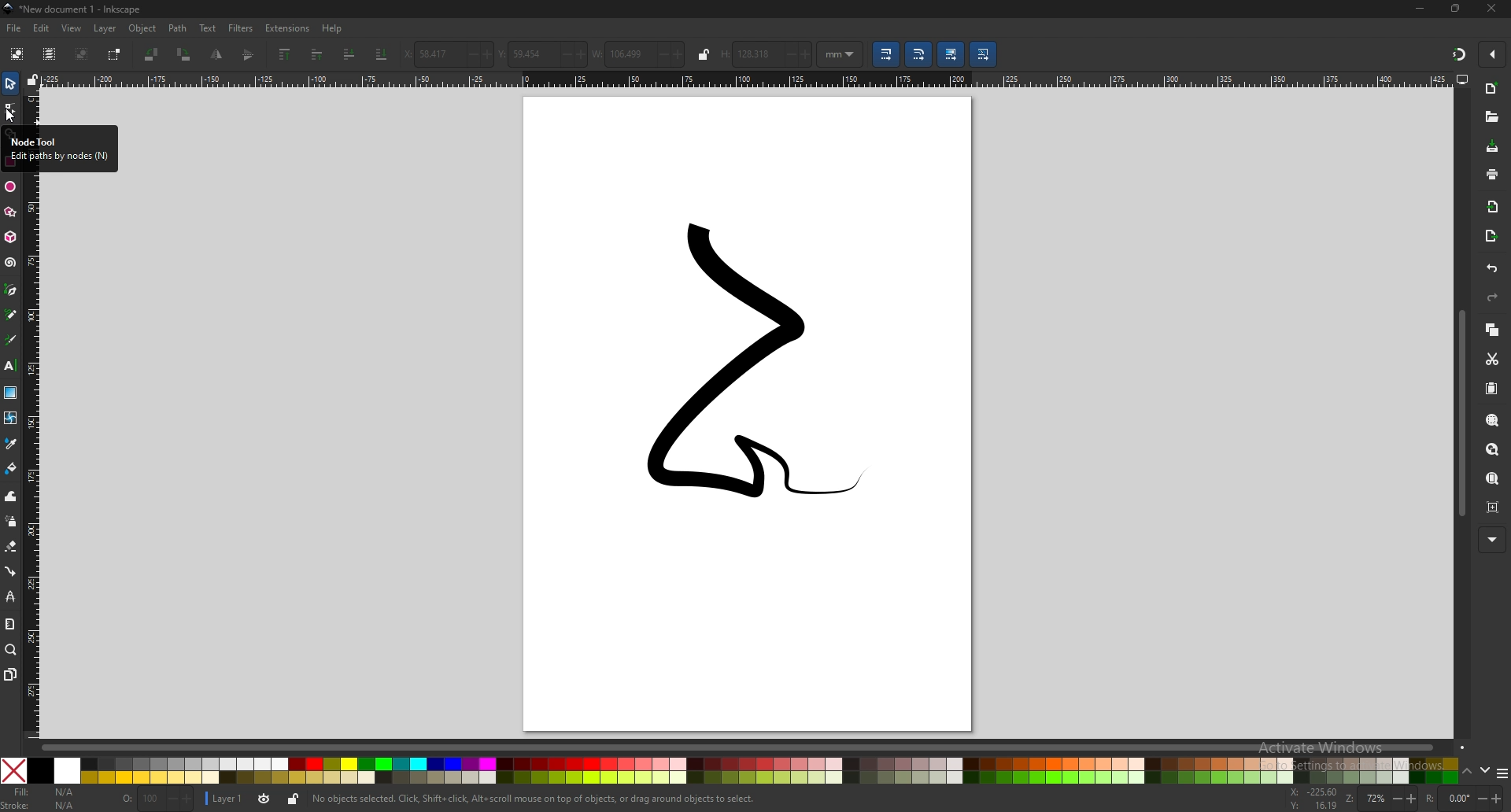 The height and width of the screenshot is (812, 1511). I want to click on node, so click(10, 109).